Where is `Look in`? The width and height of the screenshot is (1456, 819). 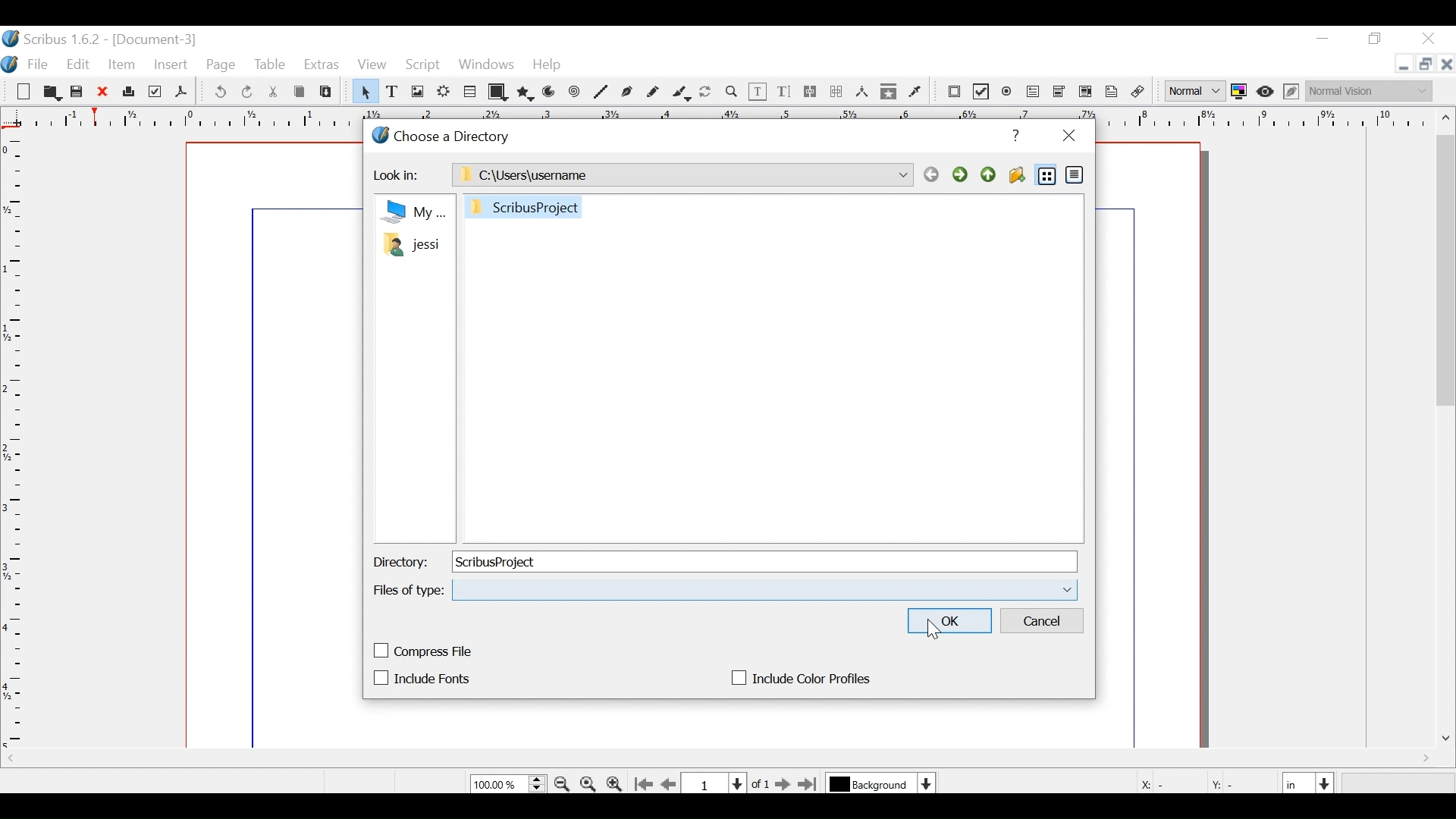 Look in is located at coordinates (394, 175).